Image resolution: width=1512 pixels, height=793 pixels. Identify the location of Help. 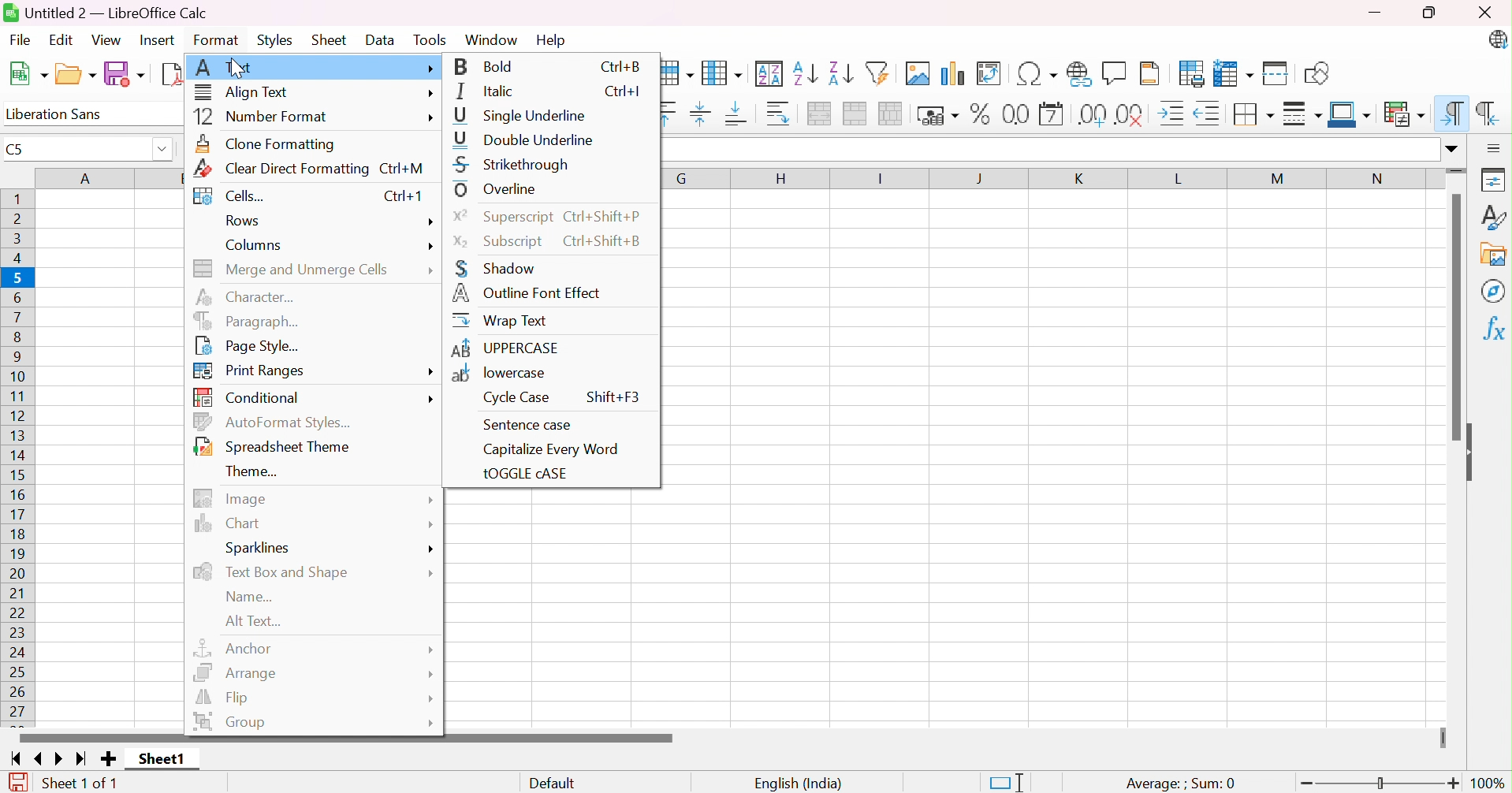
(553, 40).